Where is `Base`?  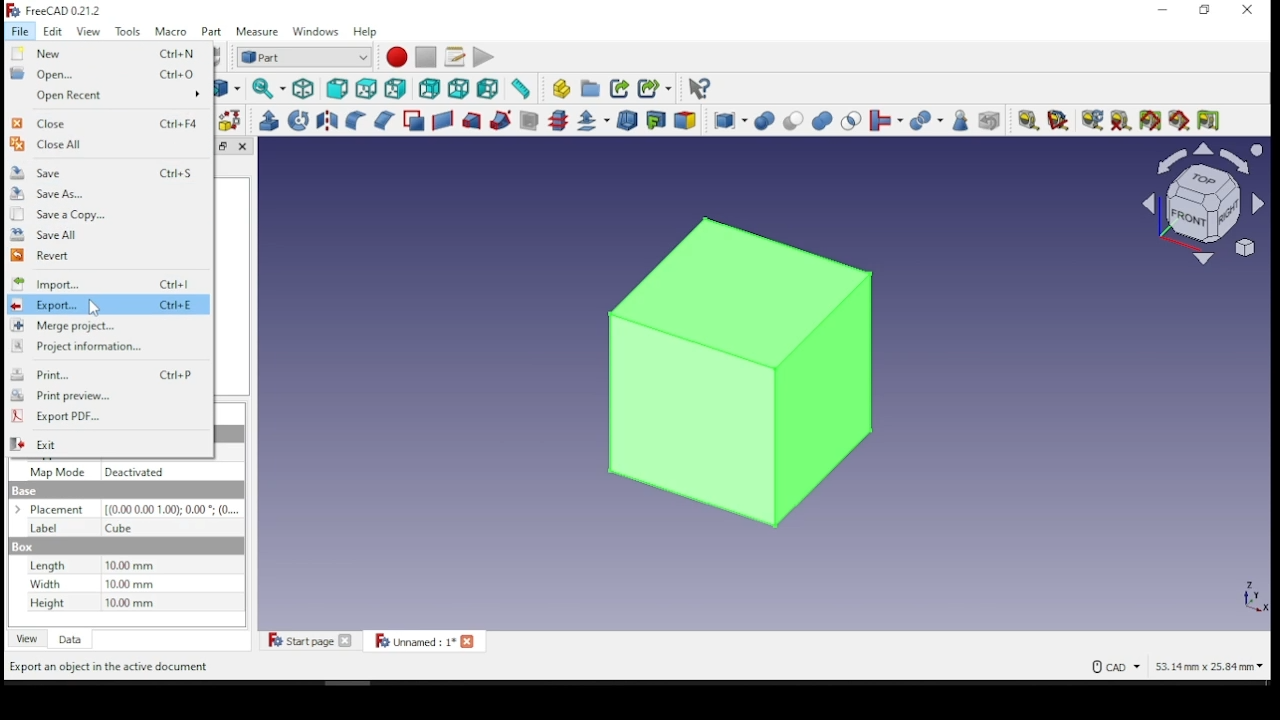 Base is located at coordinates (22, 548).